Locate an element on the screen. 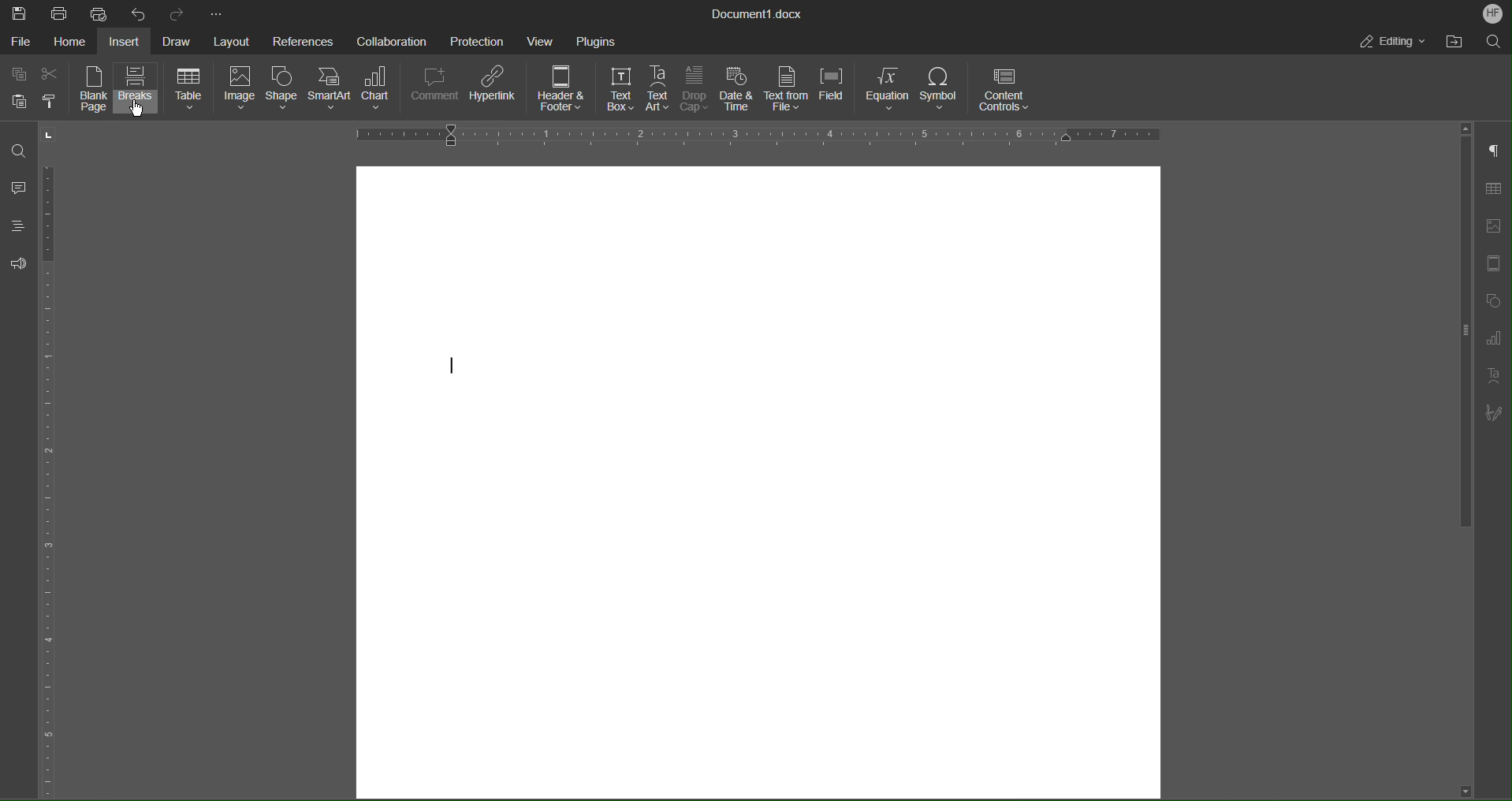 Image resolution: width=1512 pixels, height=801 pixels. Insert is located at coordinates (125, 39).